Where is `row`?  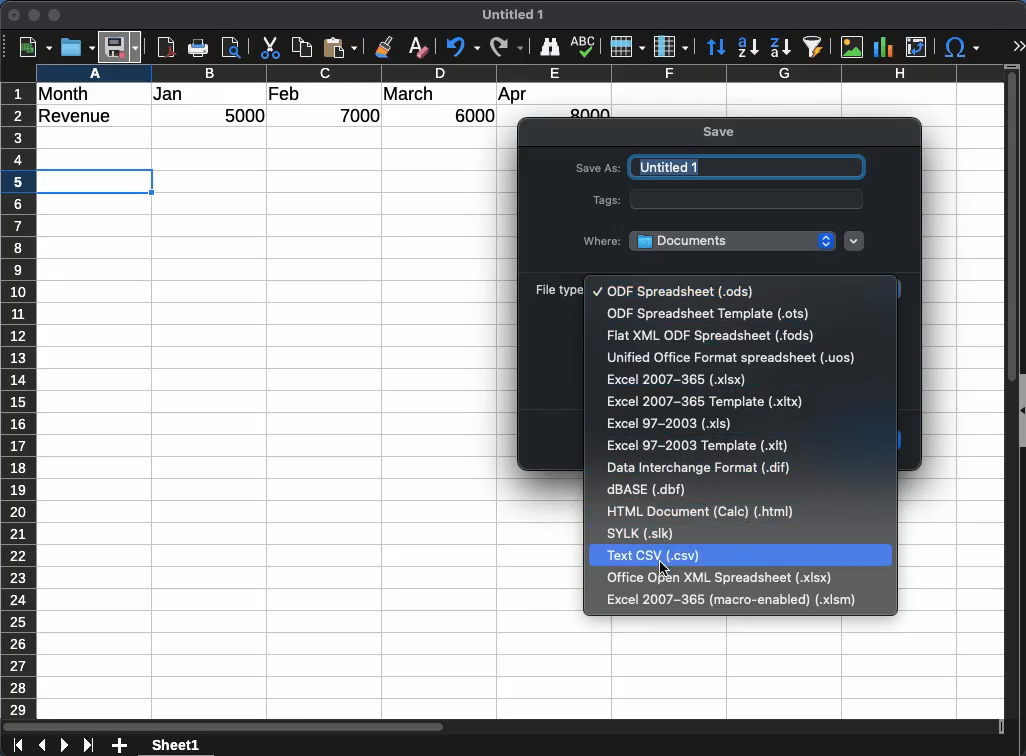
row is located at coordinates (627, 47).